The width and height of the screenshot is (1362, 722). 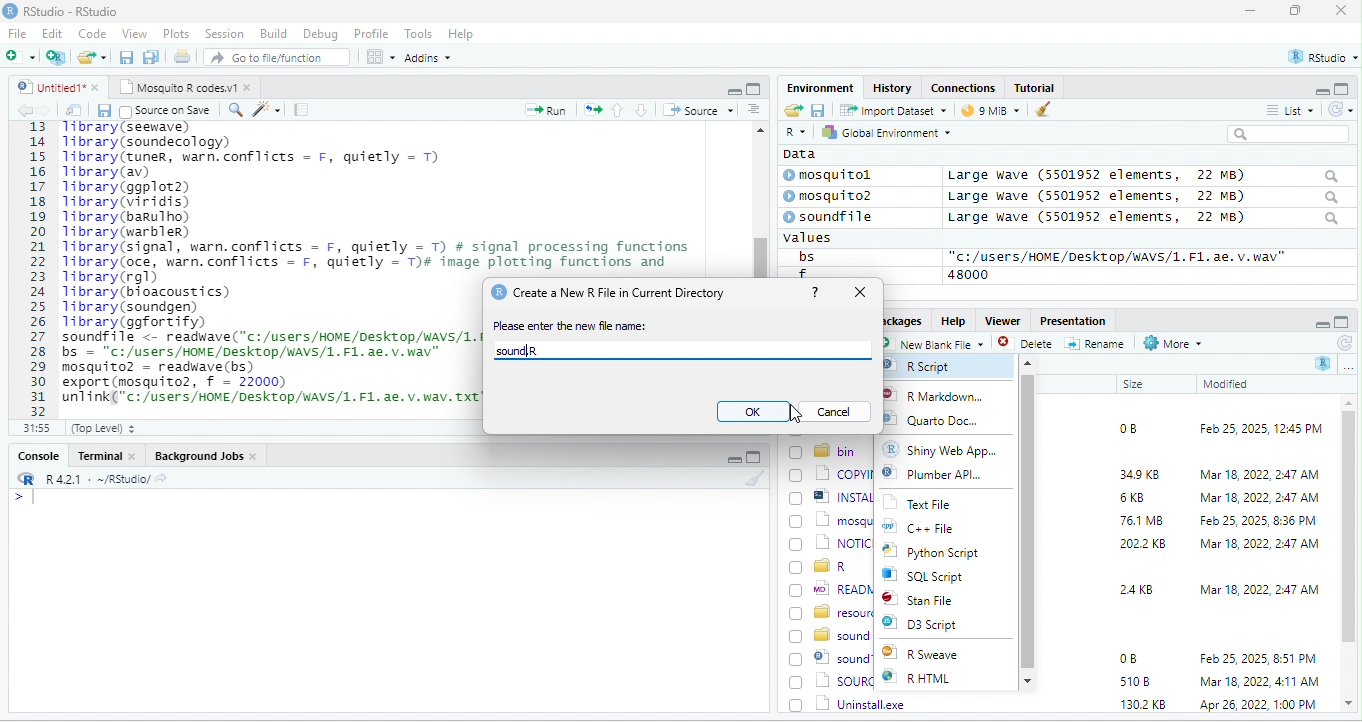 I want to click on 48000, so click(x=969, y=274).